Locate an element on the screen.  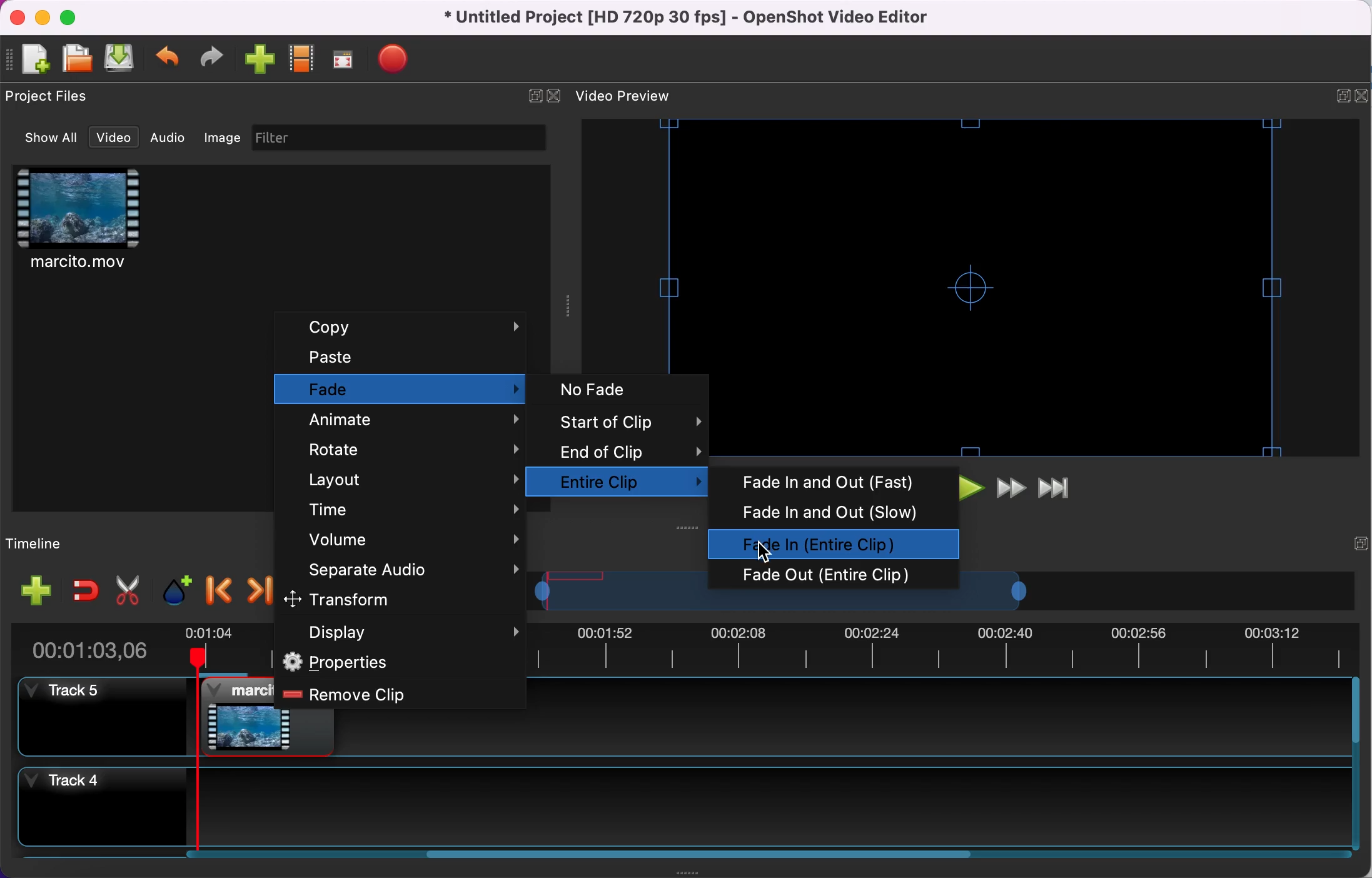
transition bar is located at coordinates (776, 602).